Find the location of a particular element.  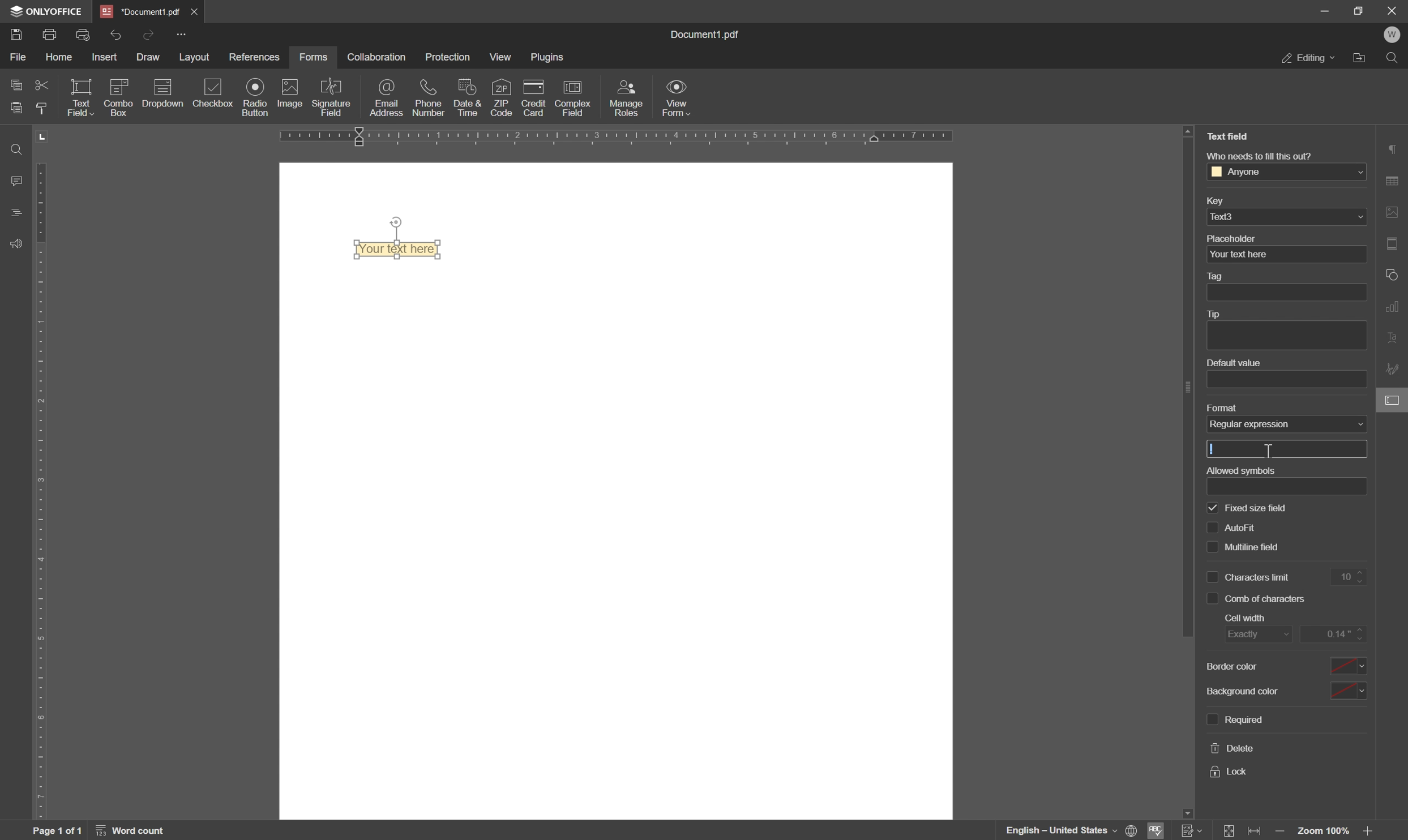

comments is located at coordinates (14, 180).